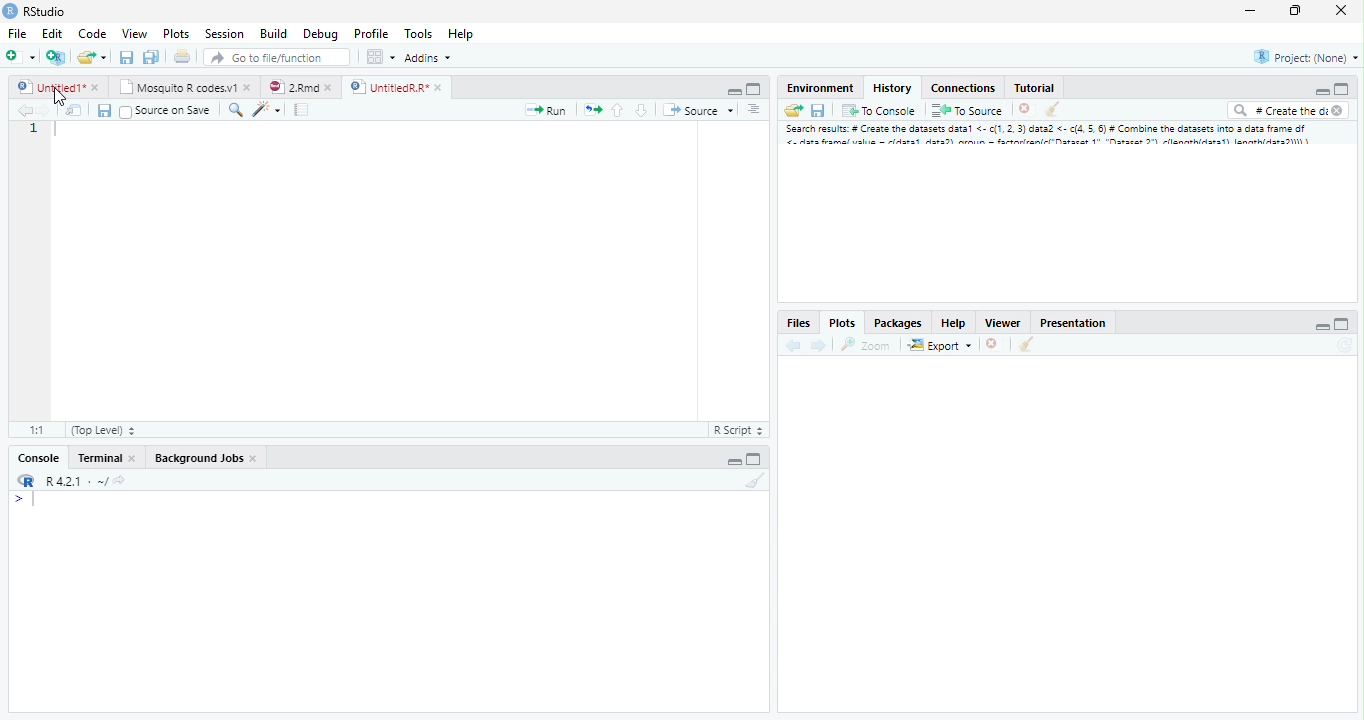  Describe the element at coordinates (41, 428) in the screenshot. I see `1:1` at that location.